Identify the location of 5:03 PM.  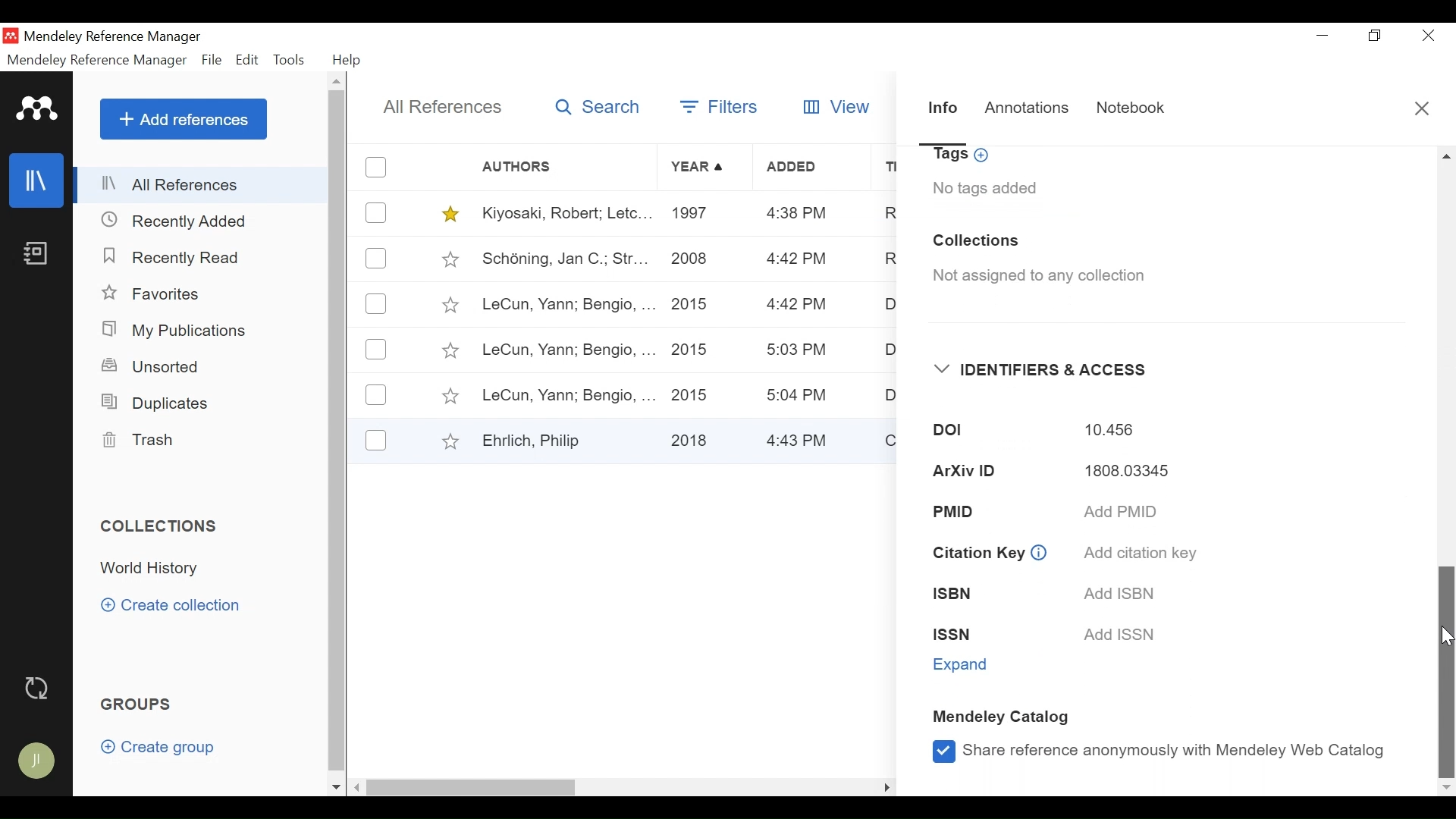
(799, 352).